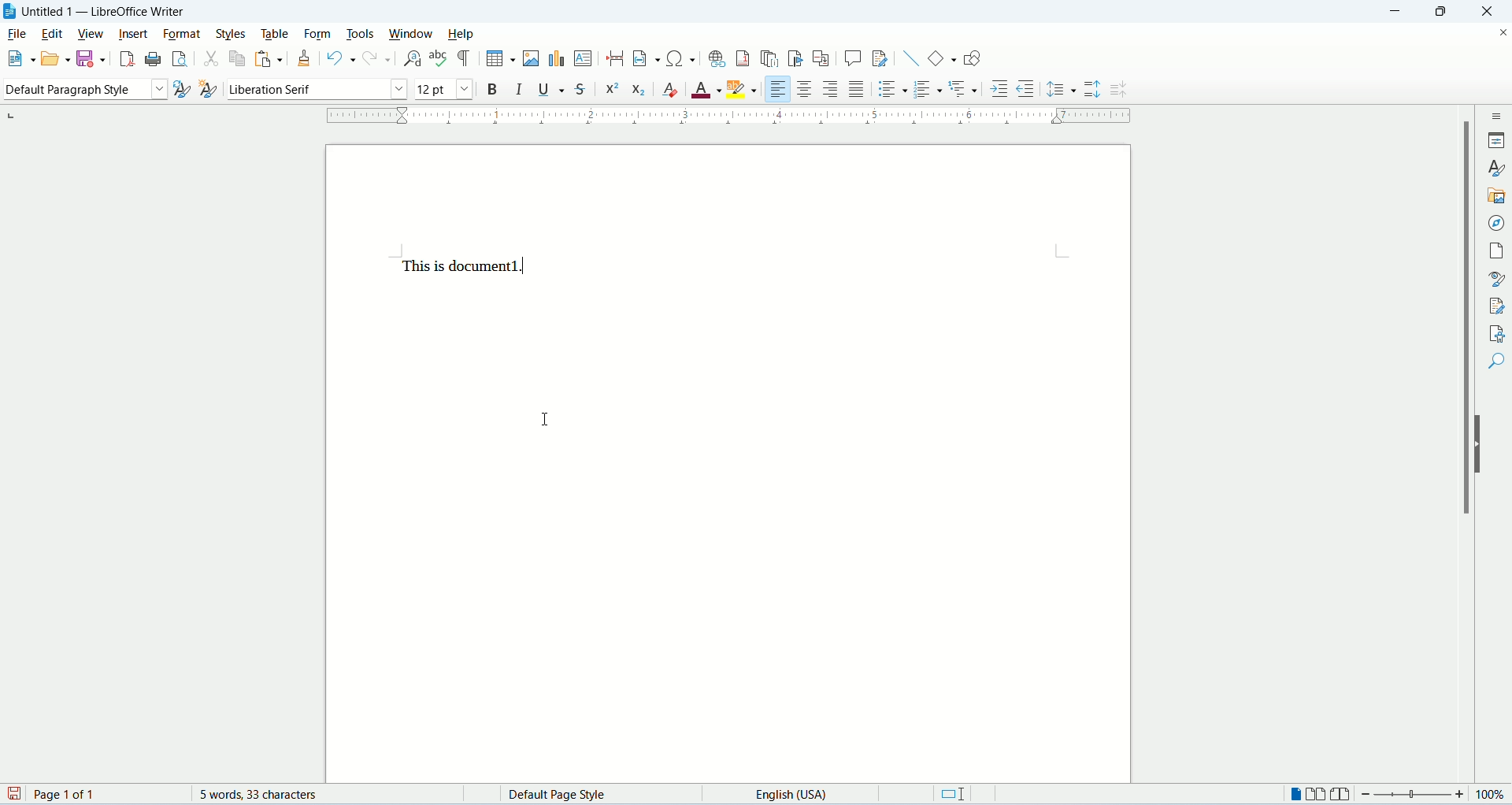  I want to click on italics, so click(517, 89).